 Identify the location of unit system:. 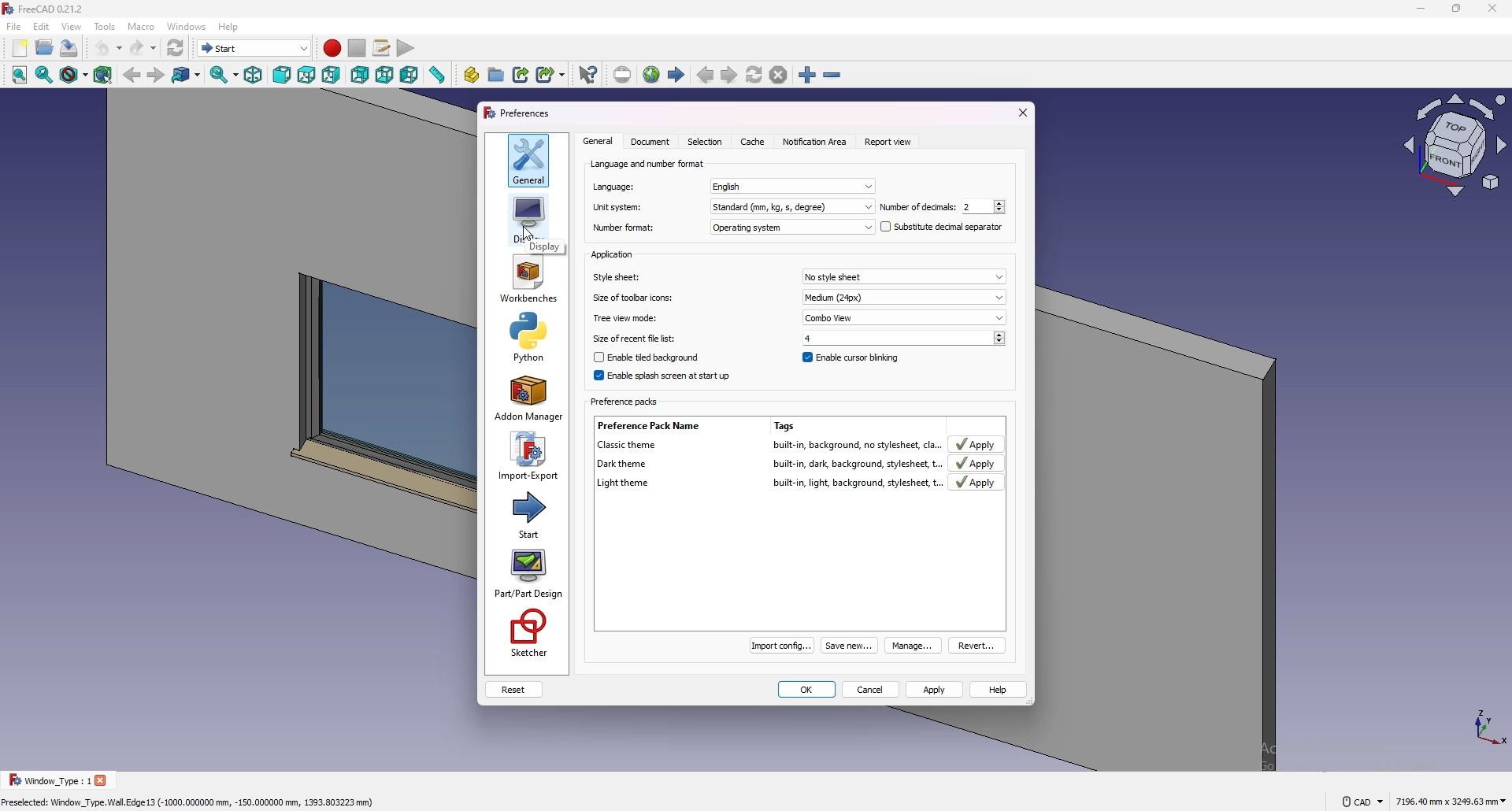
(621, 206).